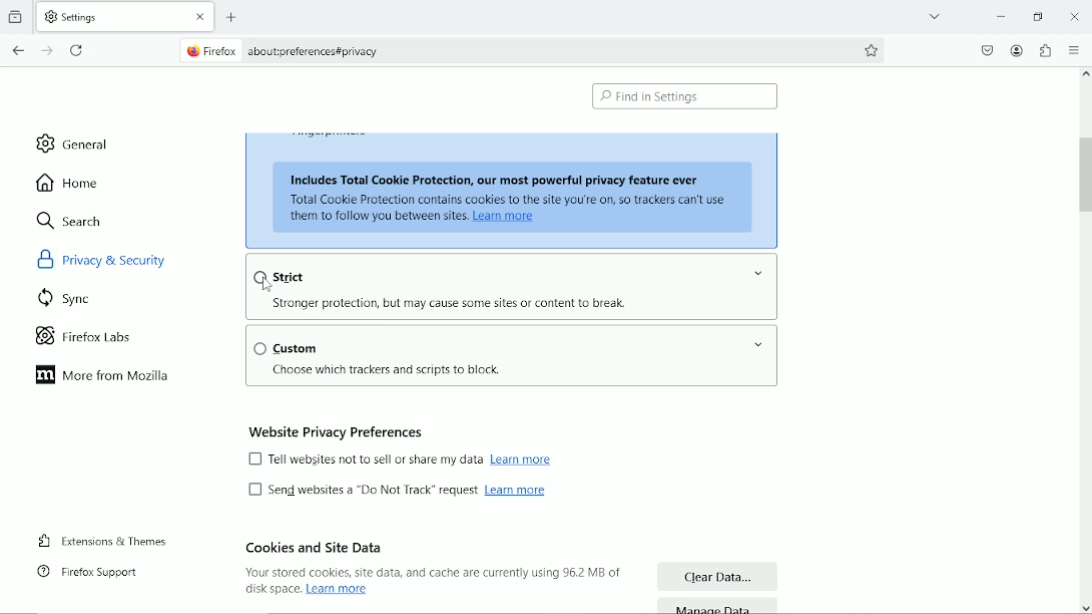  Describe the element at coordinates (100, 541) in the screenshot. I see `extensions & themes` at that location.